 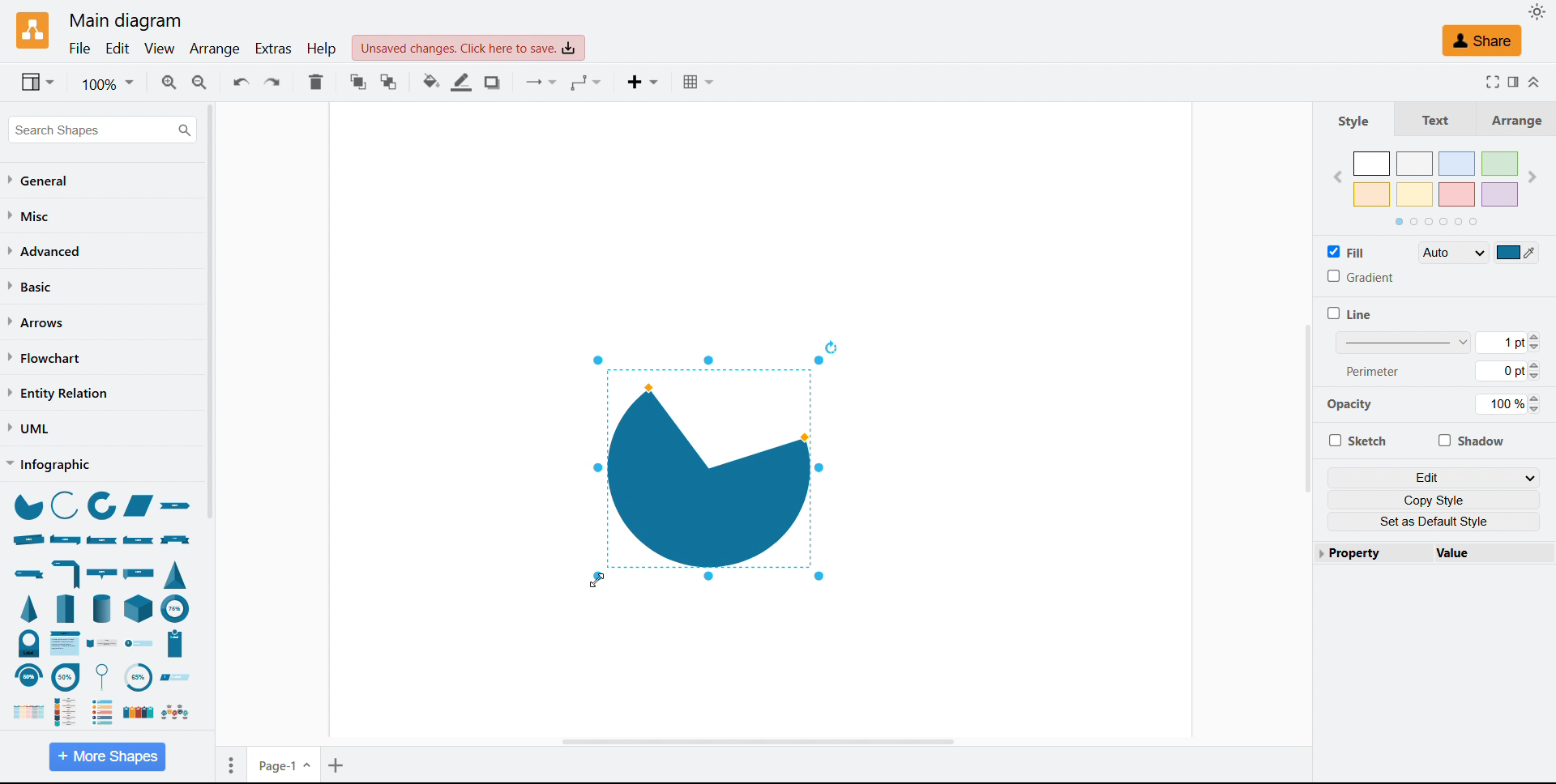 What do you see at coordinates (81, 49) in the screenshot?
I see `File ` at bounding box center [81, 49].